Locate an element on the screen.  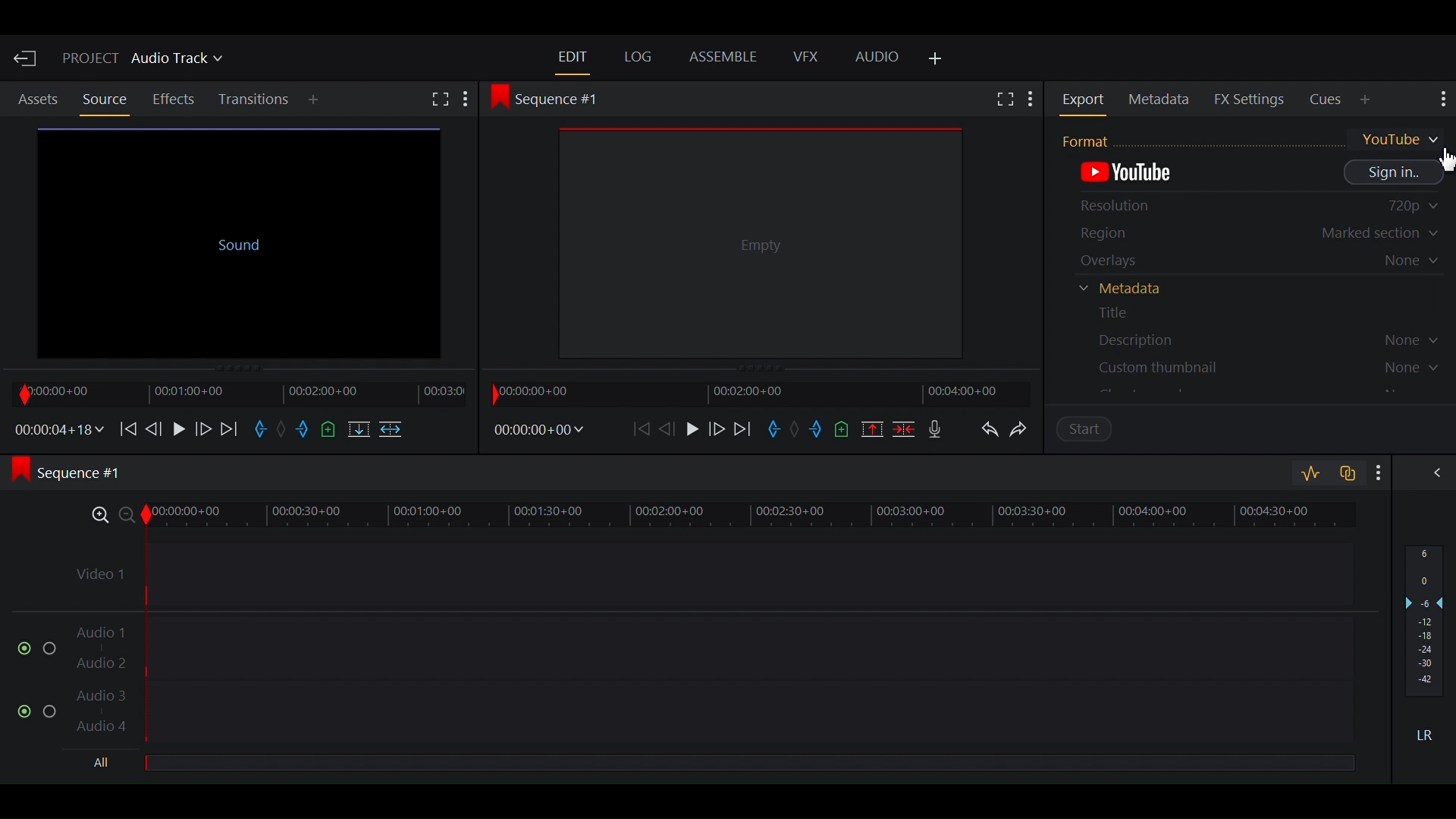
Description is located at coordinates (1257, 338).